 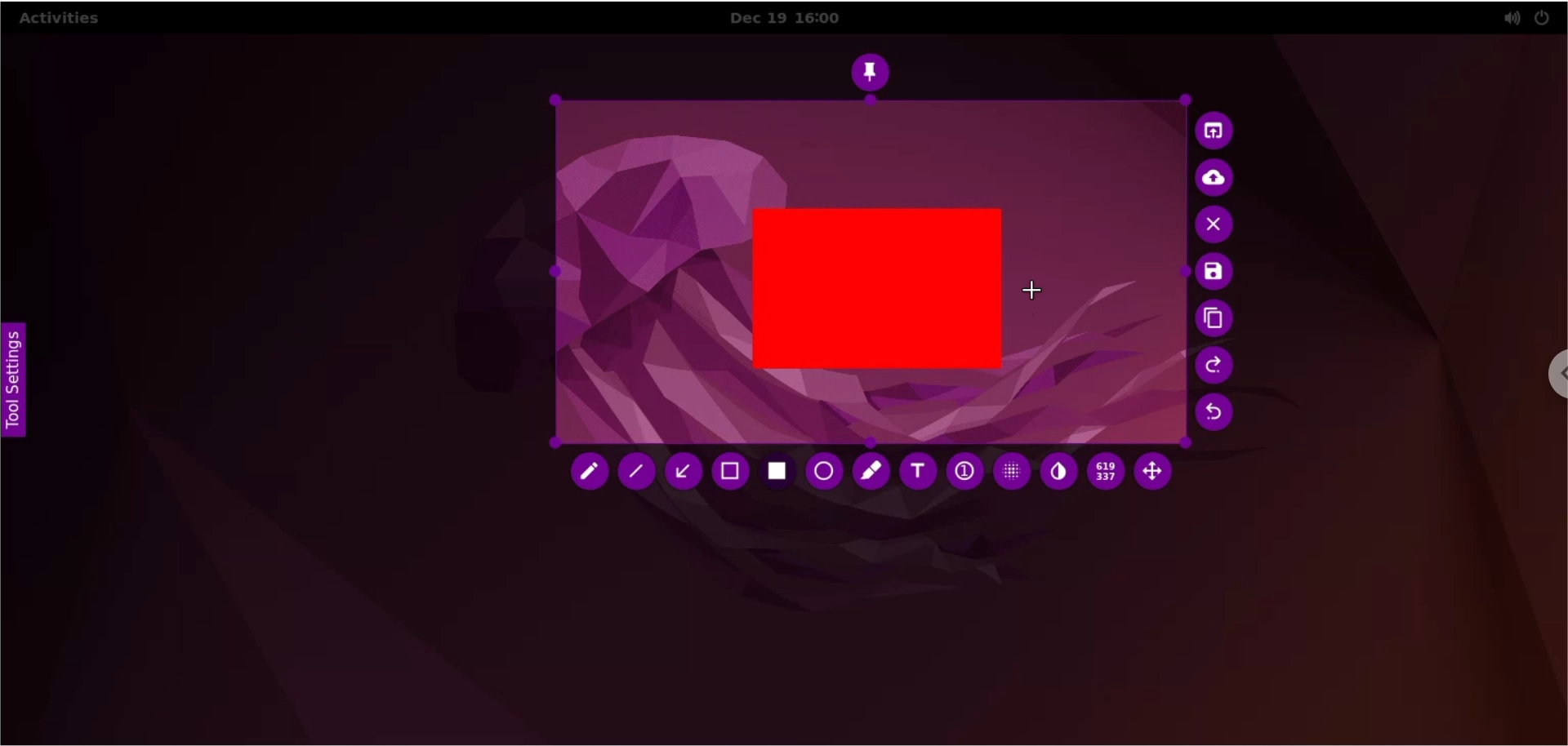 I want to click on cancel capture, so click(x=1216, y=226).